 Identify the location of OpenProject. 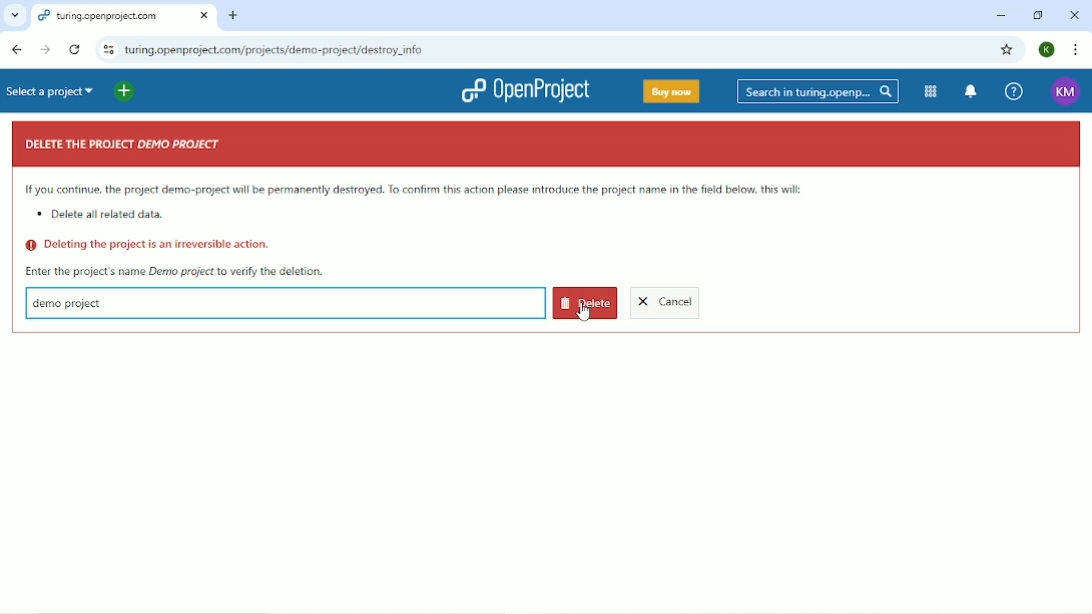
(525, 90).